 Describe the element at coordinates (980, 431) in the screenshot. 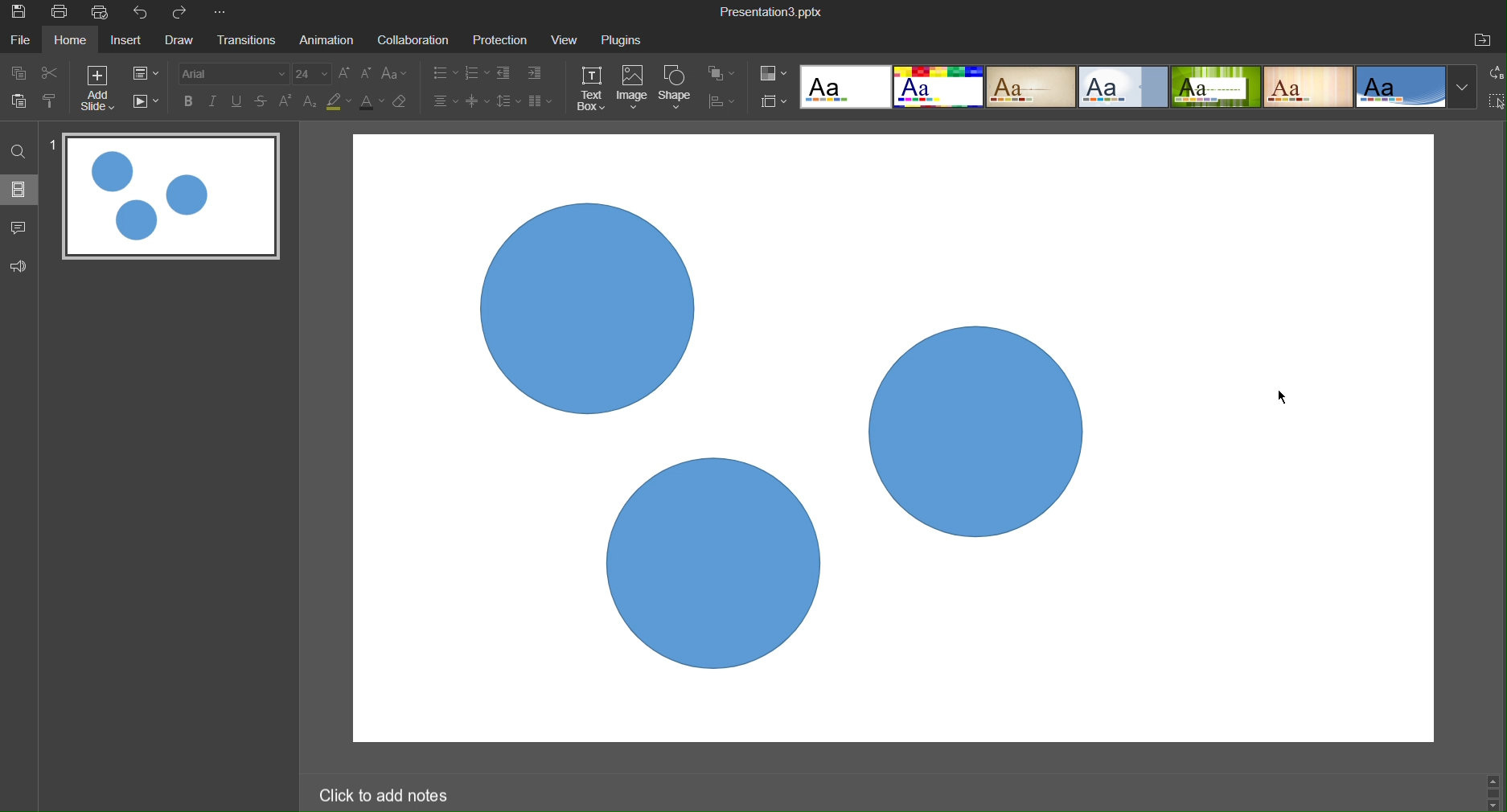

I see `Shape 2` at that location.